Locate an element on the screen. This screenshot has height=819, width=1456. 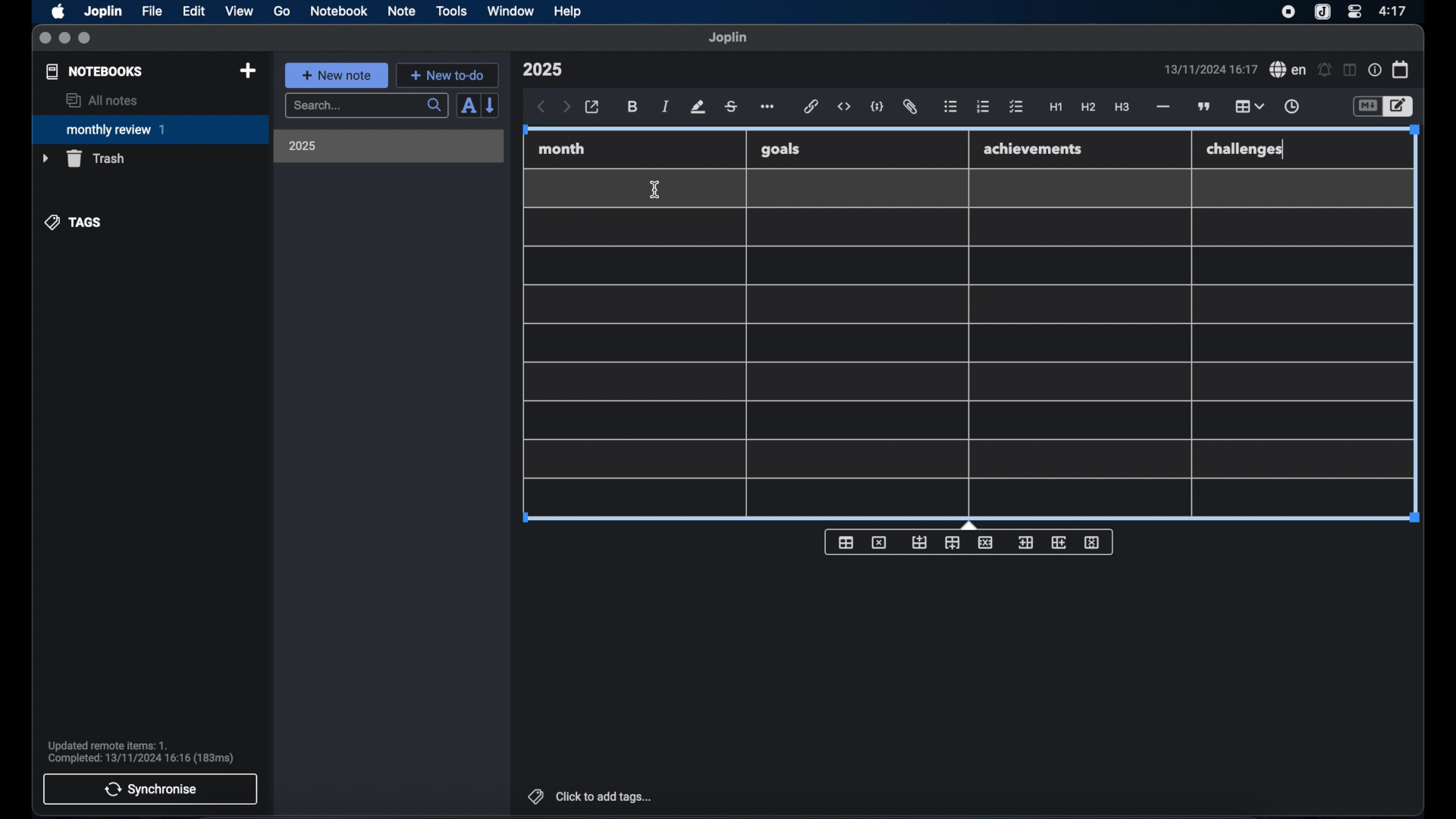
window is located at coordinates (511, 11).